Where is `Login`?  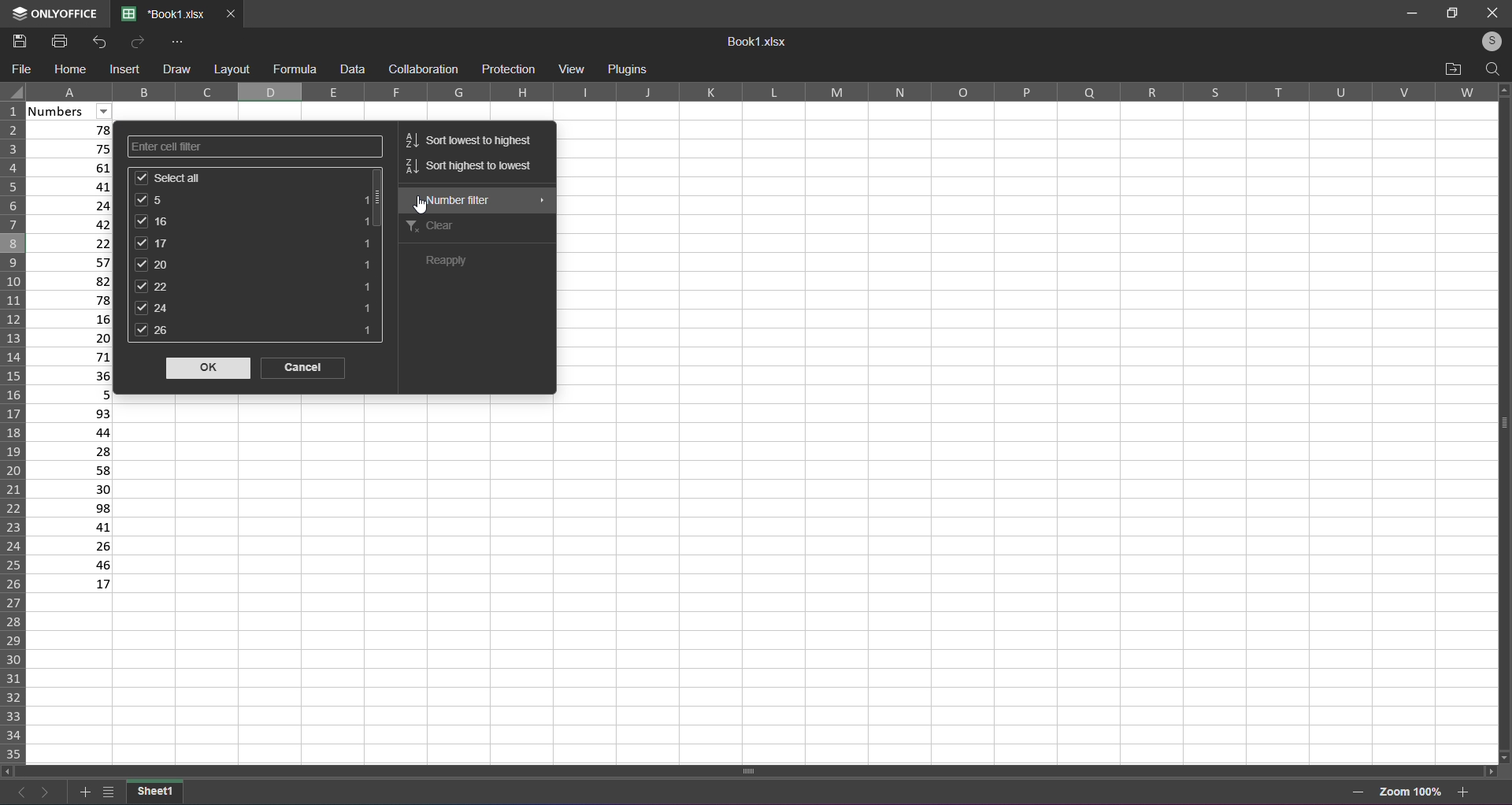
Login is located at coordinates (1486, 42).